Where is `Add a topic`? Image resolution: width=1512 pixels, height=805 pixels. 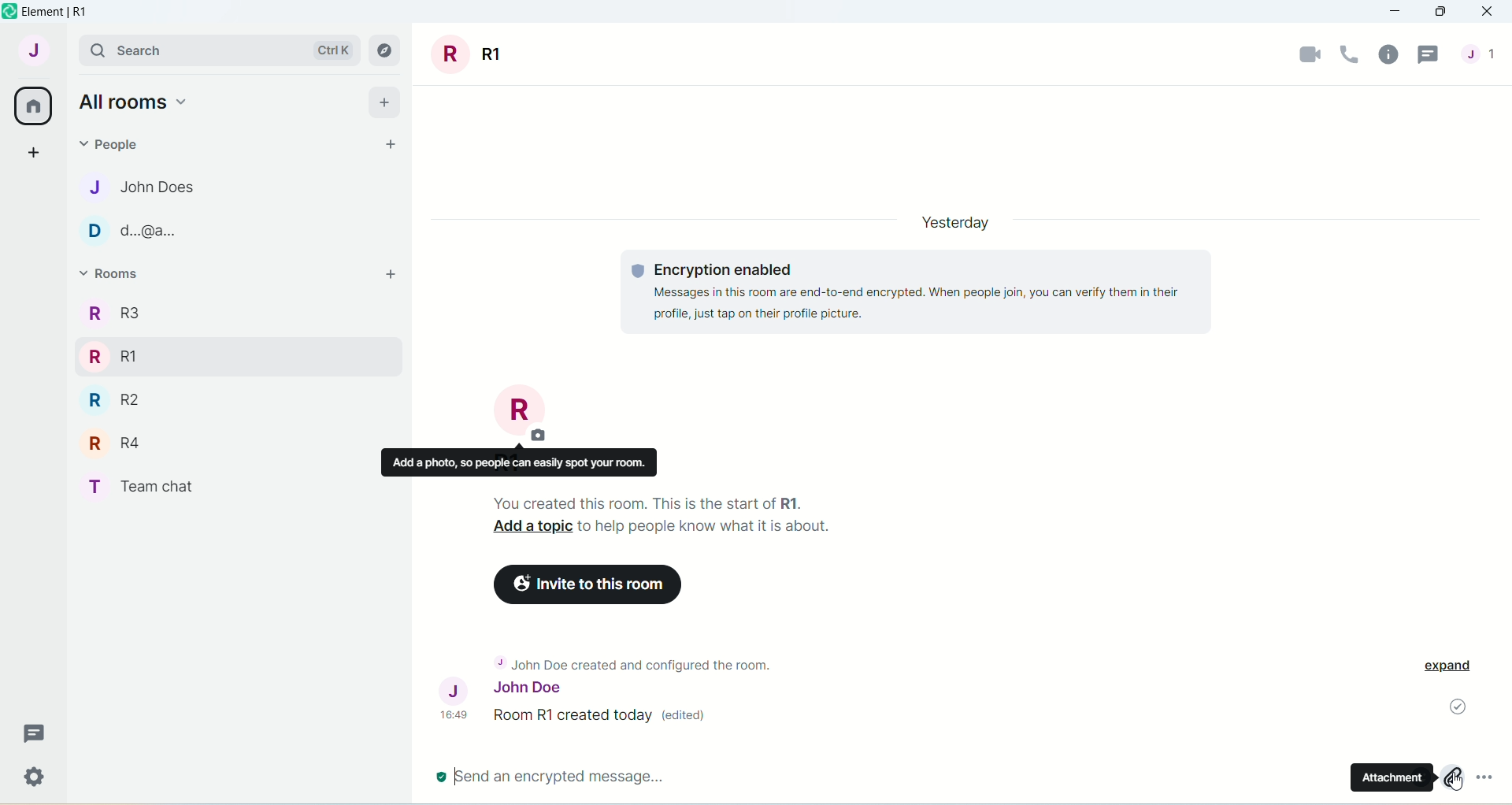 Add a topic is located at coordinates (531, 527).